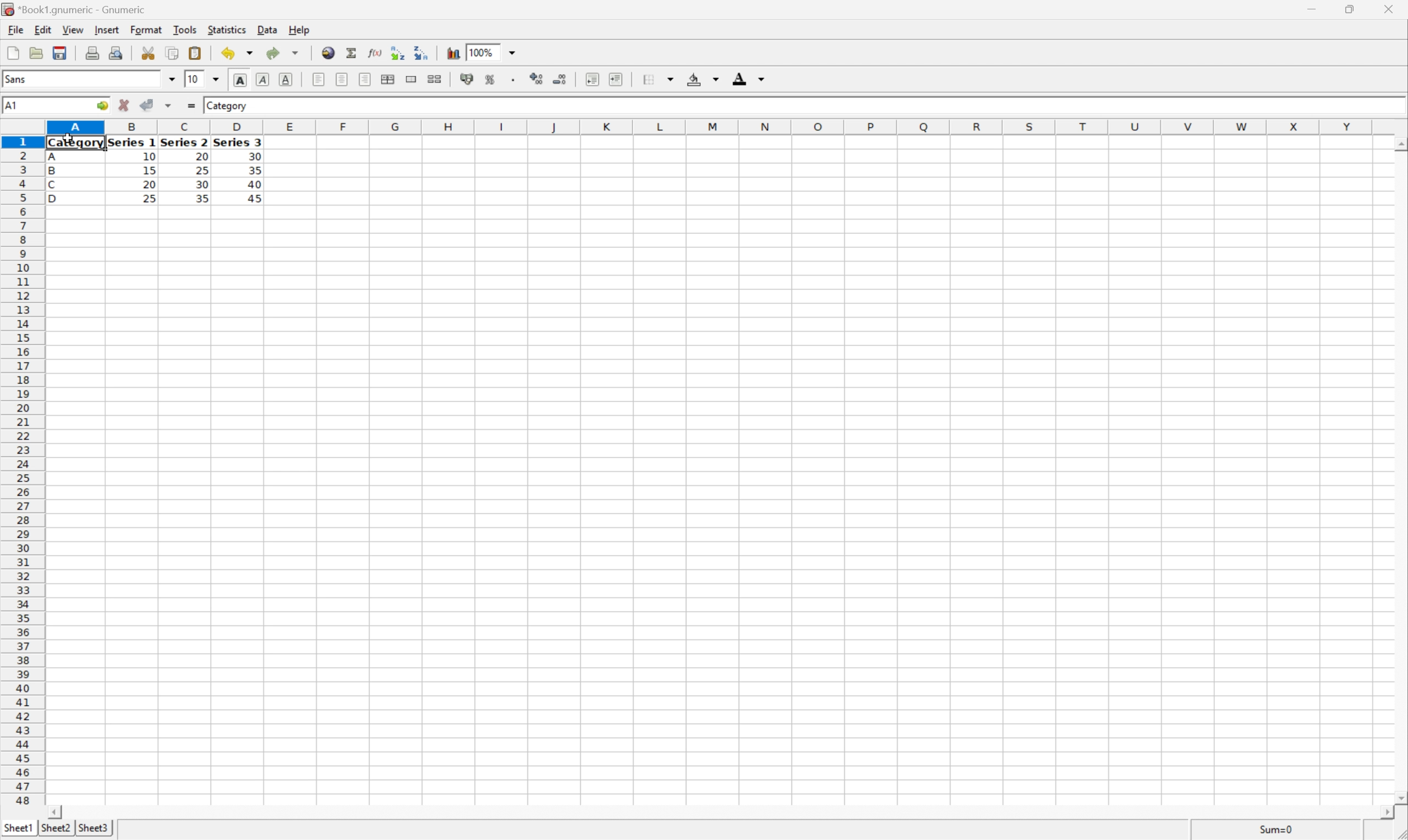 The width and height of the screenshot is (1408, 840). Describe the element at coordinates (149, 185) in the screenshot. I see `20` at that location.